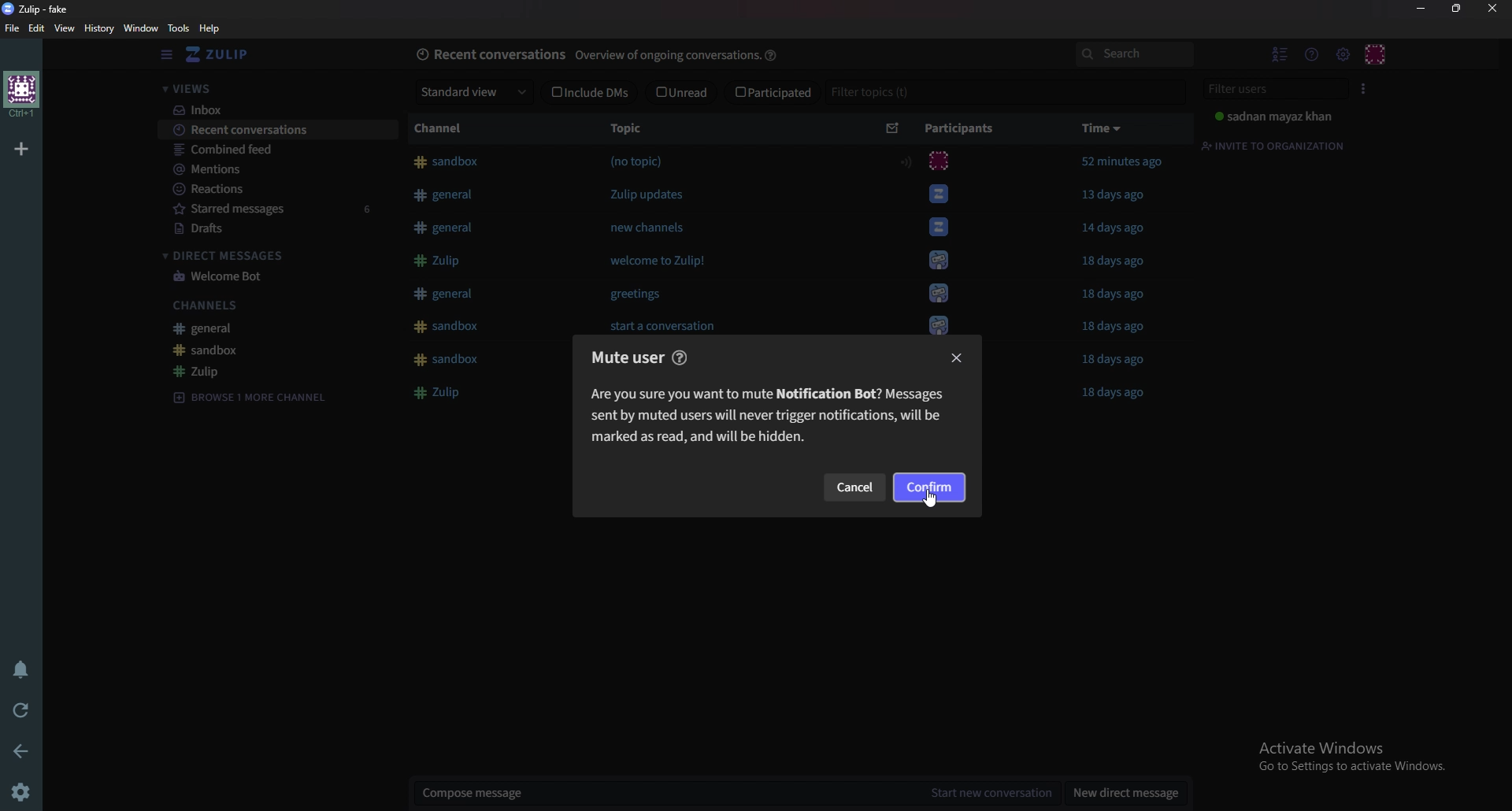 The image size is (1512, 811). Describe the element at coordinates (272, 209) in the screenshot. I see `Starred messages` at that location.